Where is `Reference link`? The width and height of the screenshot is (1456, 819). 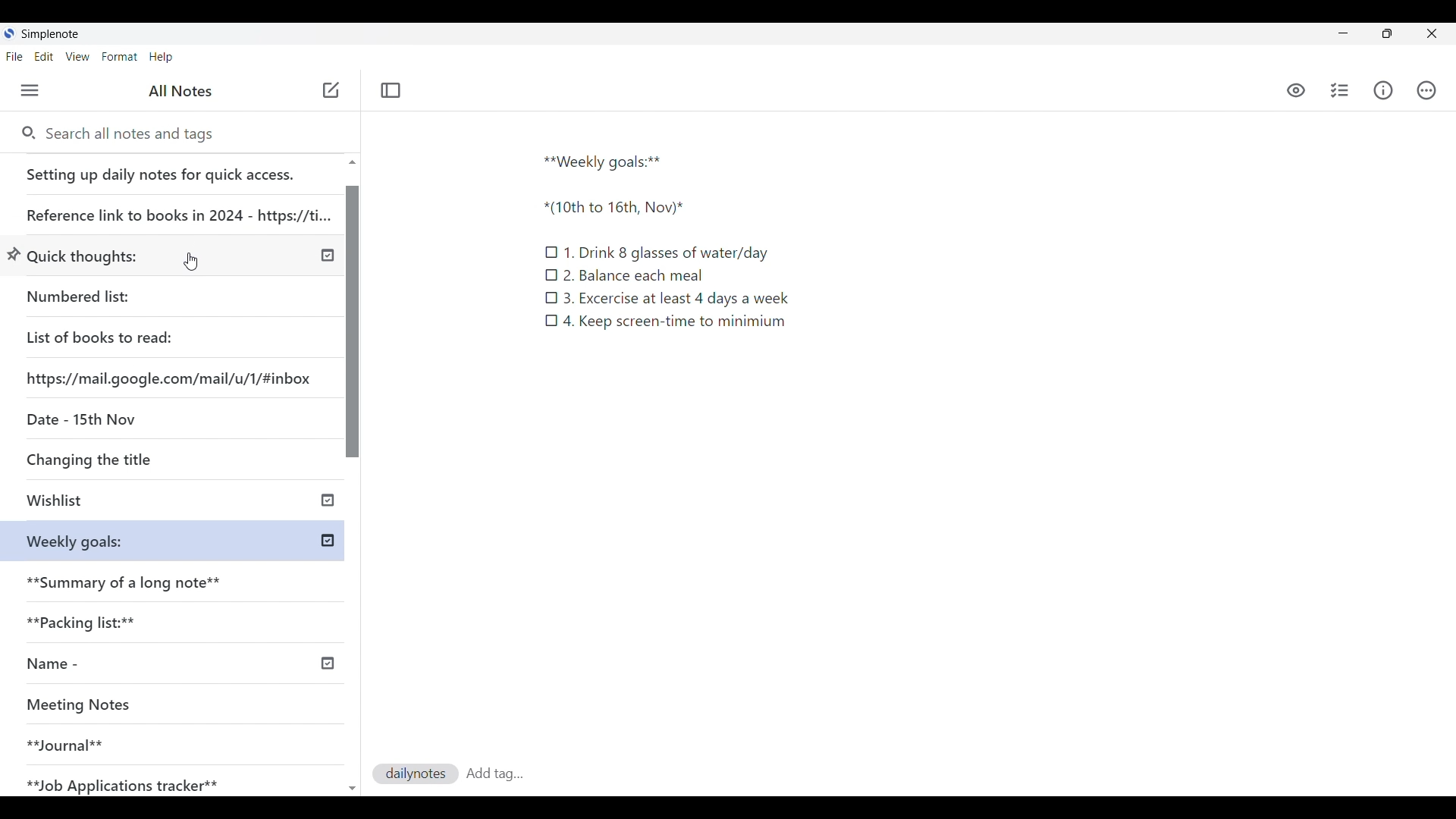 Reference link is located at coordinates (177, 209).